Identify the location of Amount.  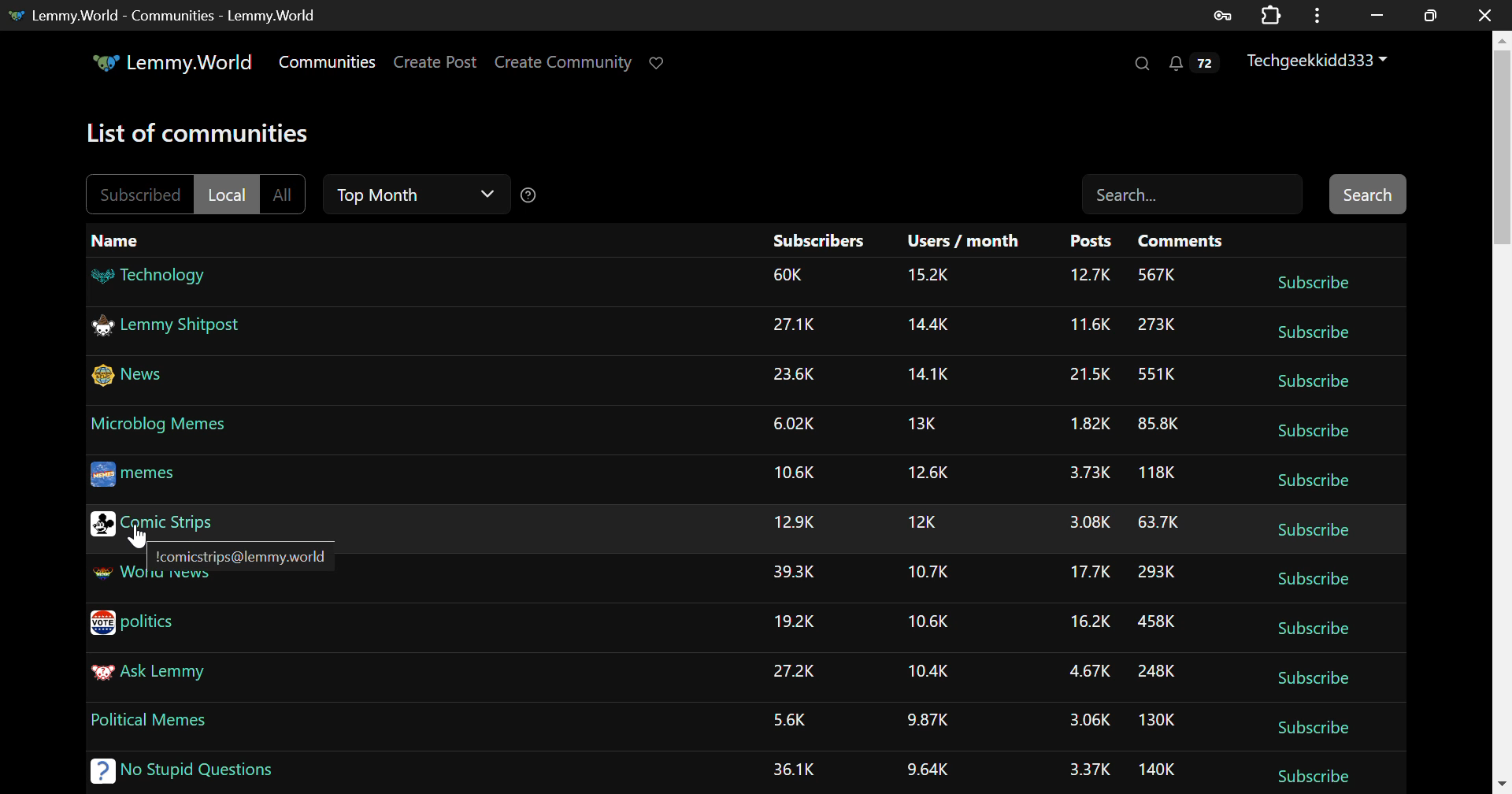
(797, 619).